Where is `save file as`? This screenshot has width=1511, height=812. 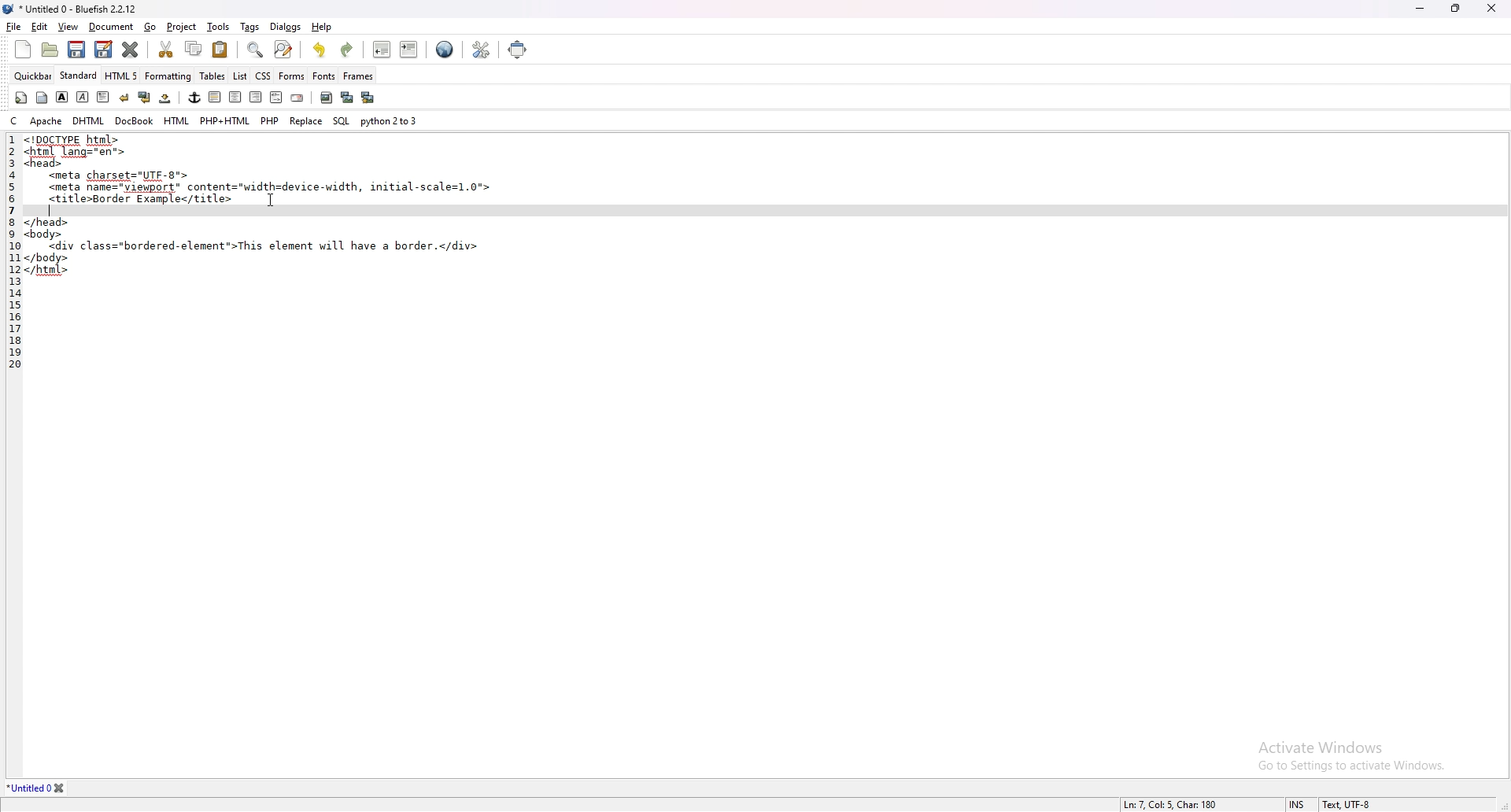
save file as is located at coordinates (104, 49).